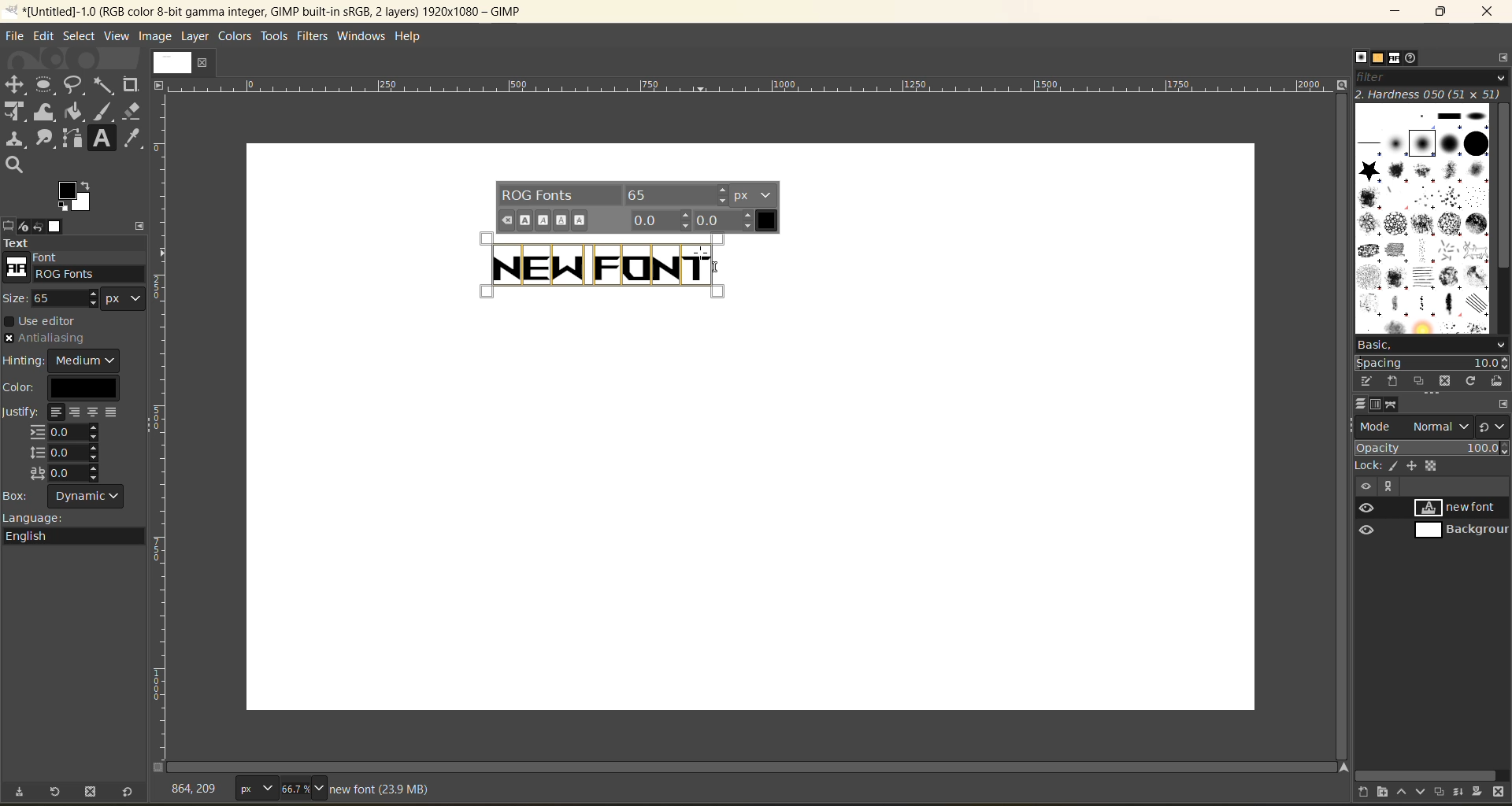 The image size is (1512, 806). Describe the element at coordinates (24, 227) in the screenshot. I see `device status` at that location.